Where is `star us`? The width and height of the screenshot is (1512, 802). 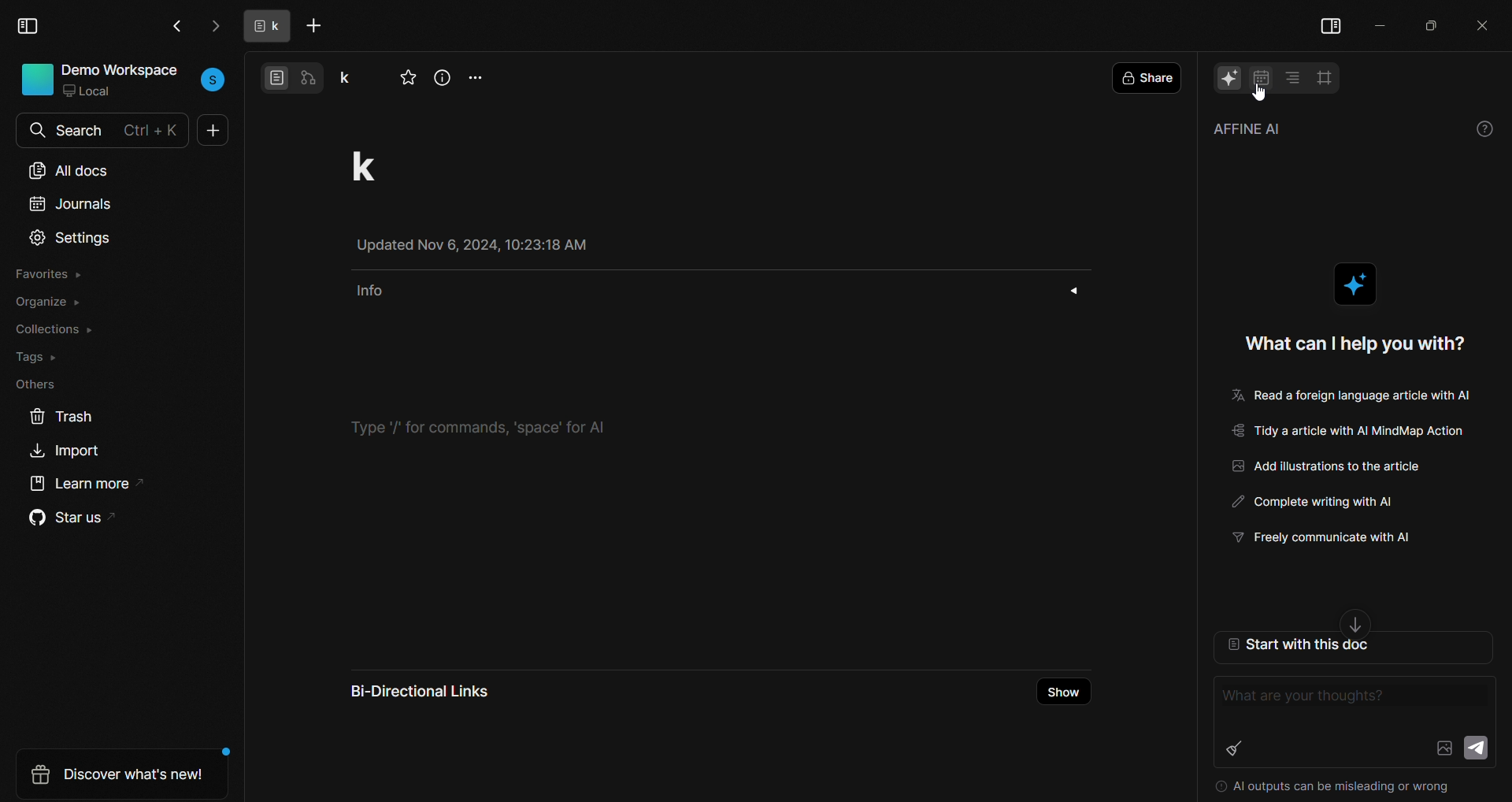
star us is located at coordinates (66, 520).